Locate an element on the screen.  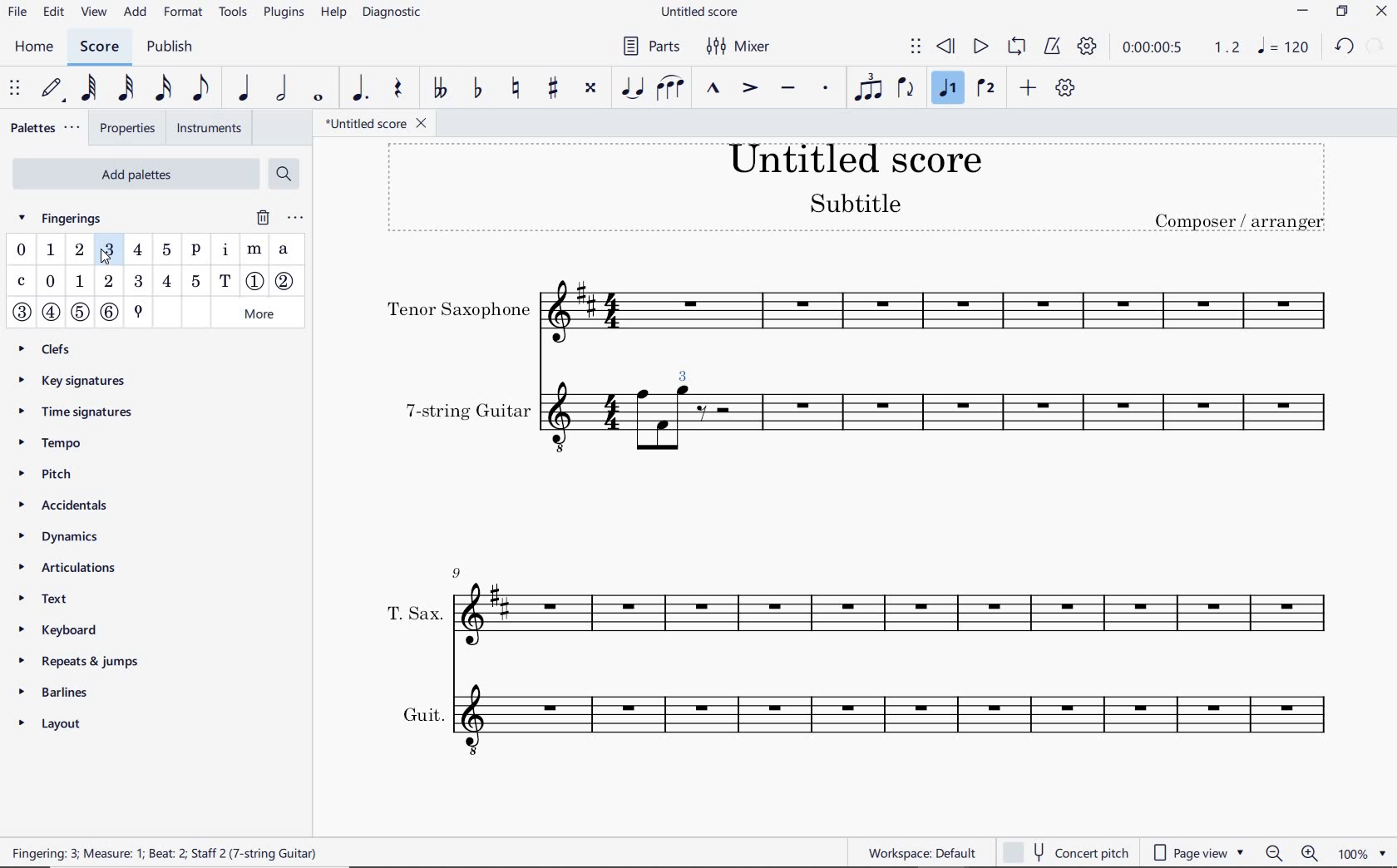
SEARCH PALETTES is located at coordinates (286, 174).